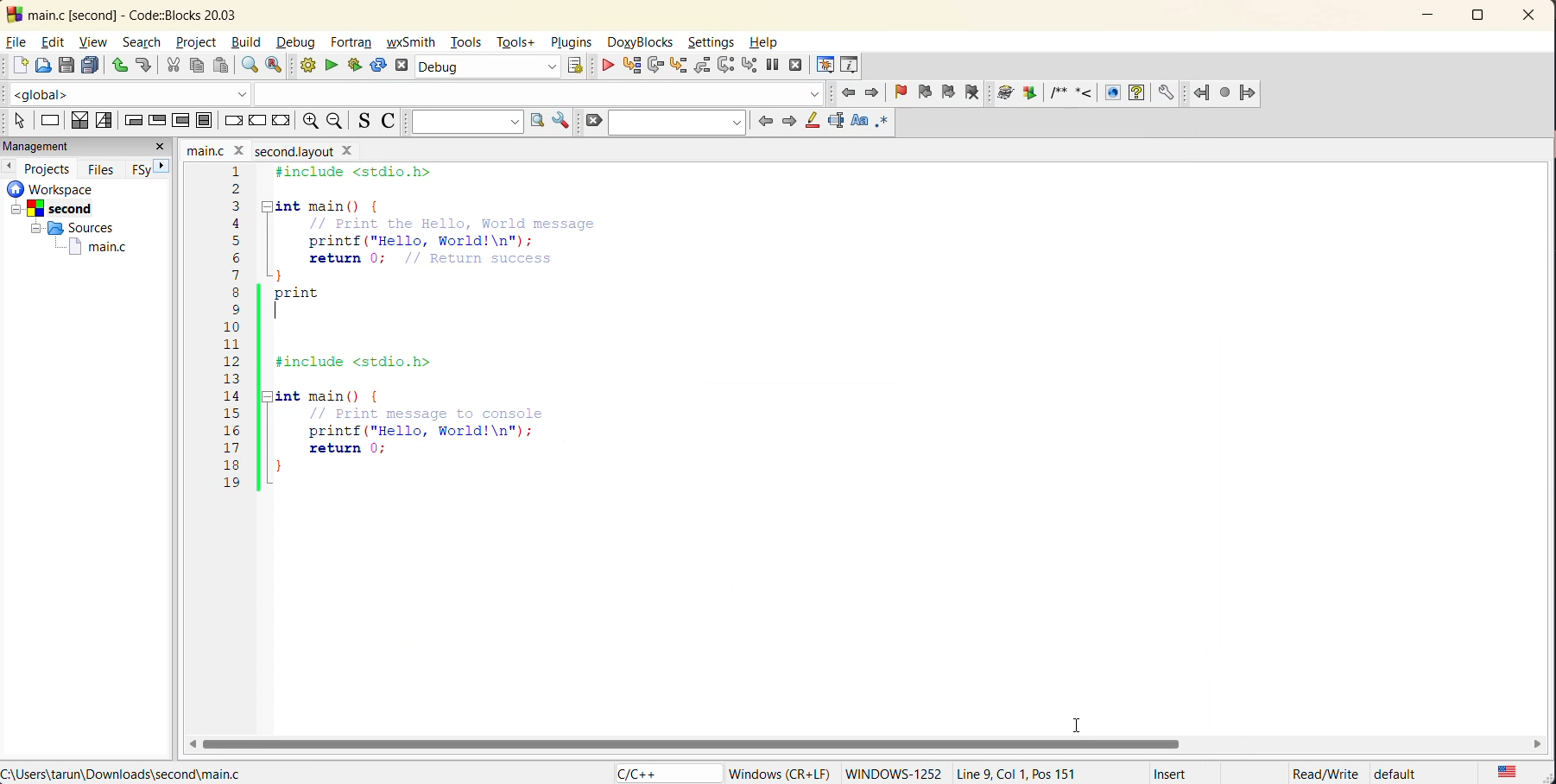 This screenshot has width=1556, height=784. What do you see at coordinates (376, 66) in the screenshot?
I see `rebuild` at bounding box center [376, 66].